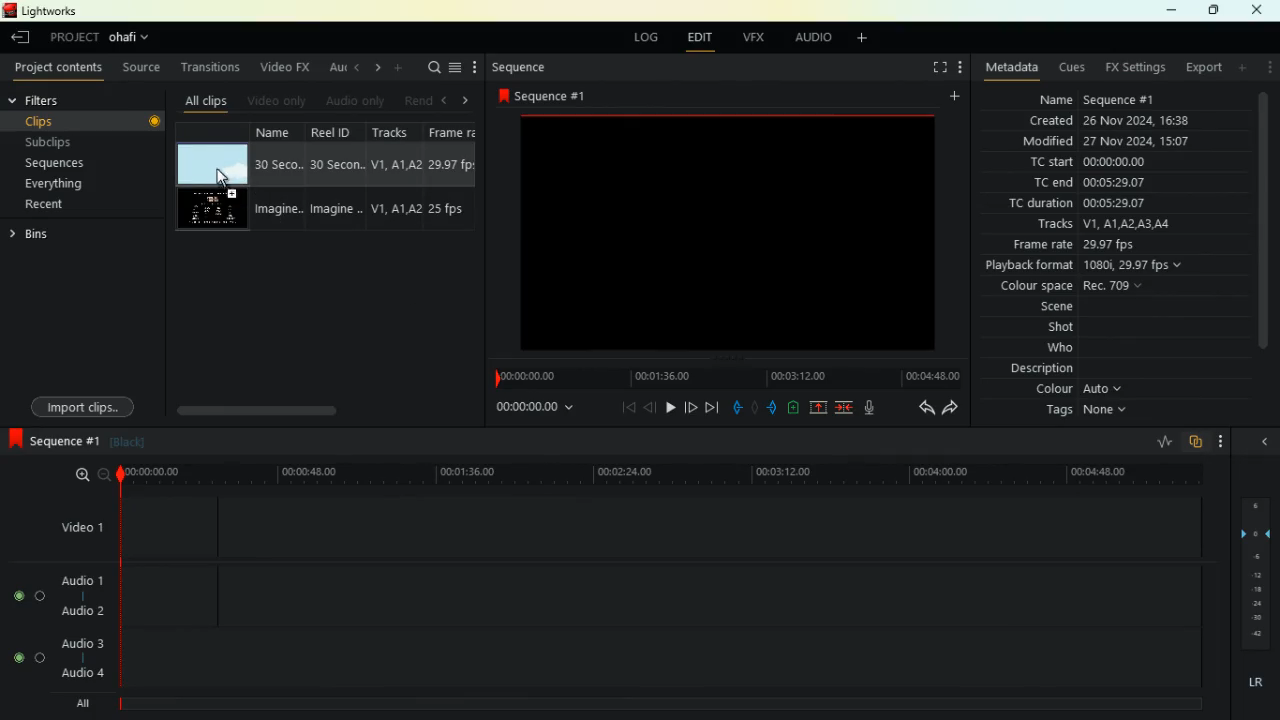 This screenshot has height=720, width=1280. I want to click on more, so click(476, 67).